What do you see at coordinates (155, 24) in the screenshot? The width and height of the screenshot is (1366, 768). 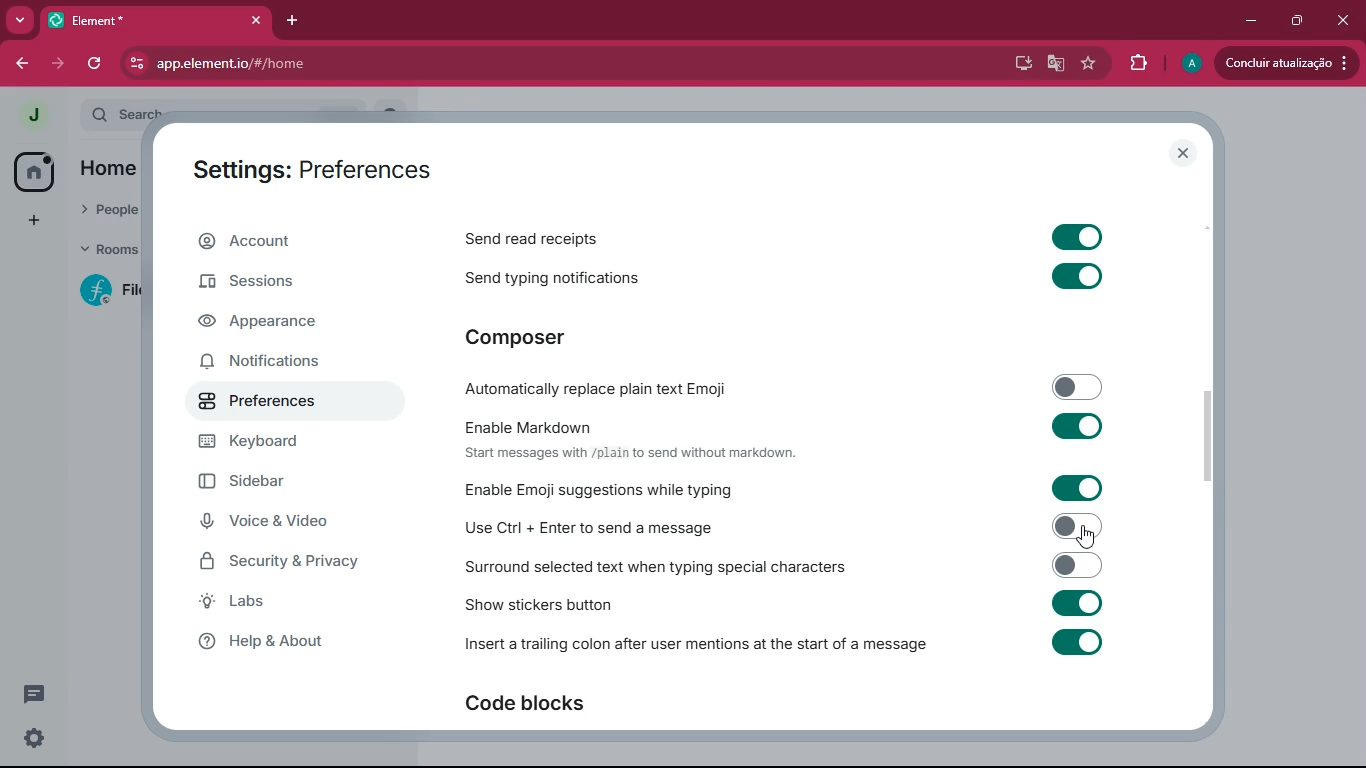 I see `*Element` at bounding box center [155, 24].